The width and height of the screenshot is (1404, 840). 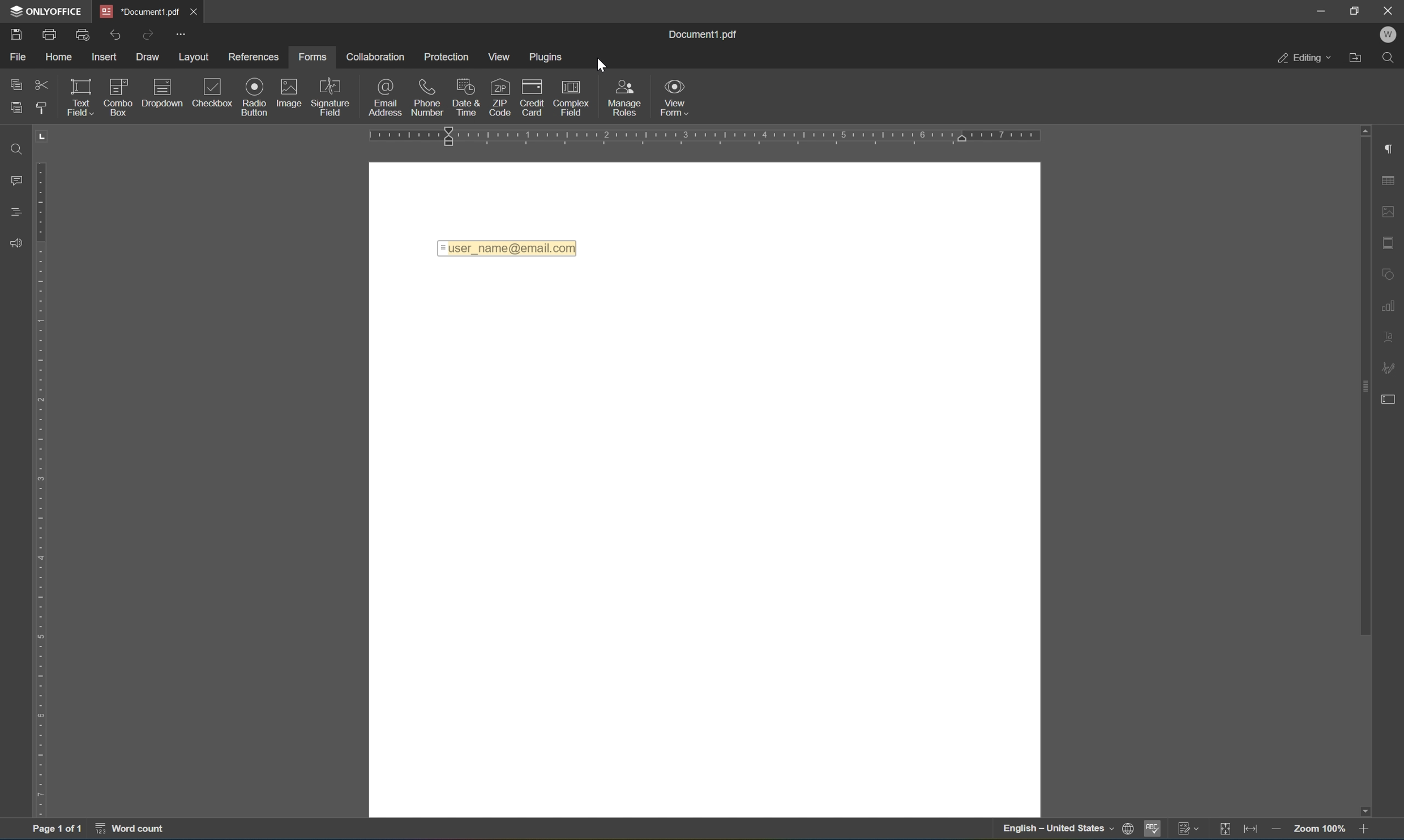 I want to click on =user_name@email.com|, so click(x=521, y=248).